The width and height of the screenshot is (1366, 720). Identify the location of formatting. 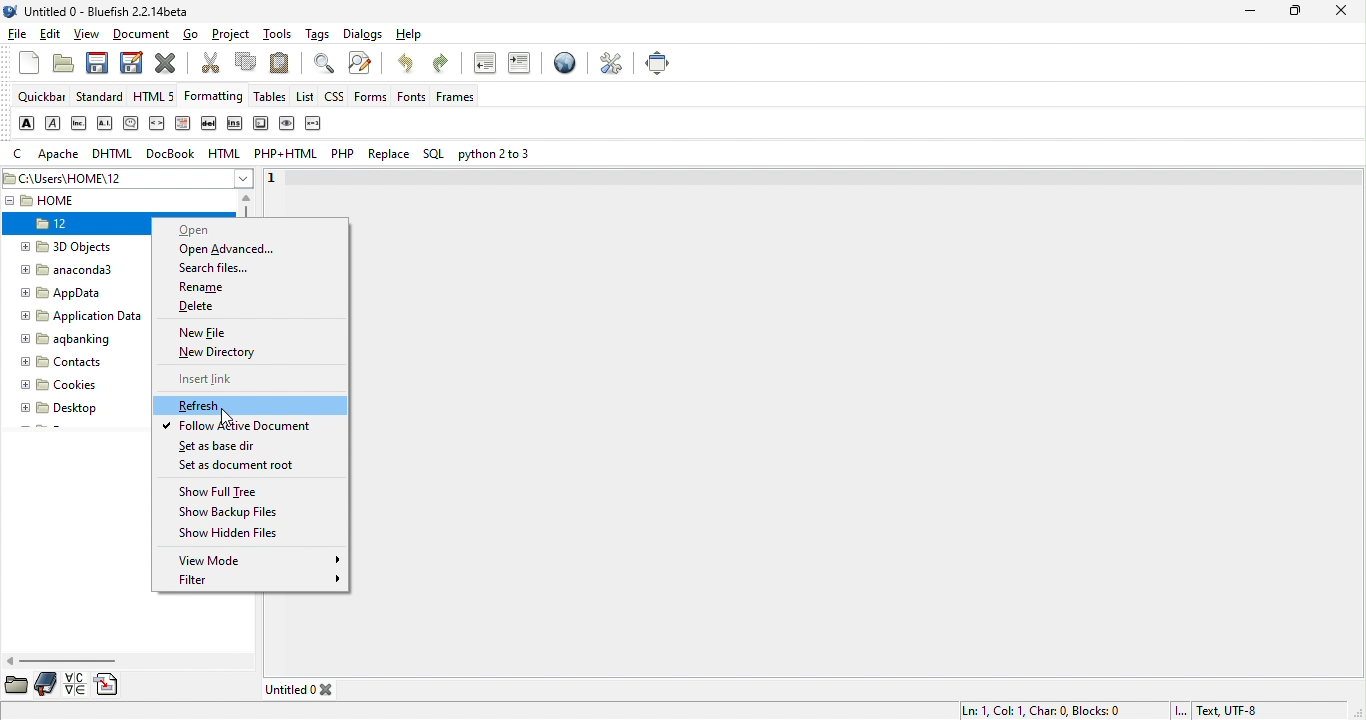
(212, 96).